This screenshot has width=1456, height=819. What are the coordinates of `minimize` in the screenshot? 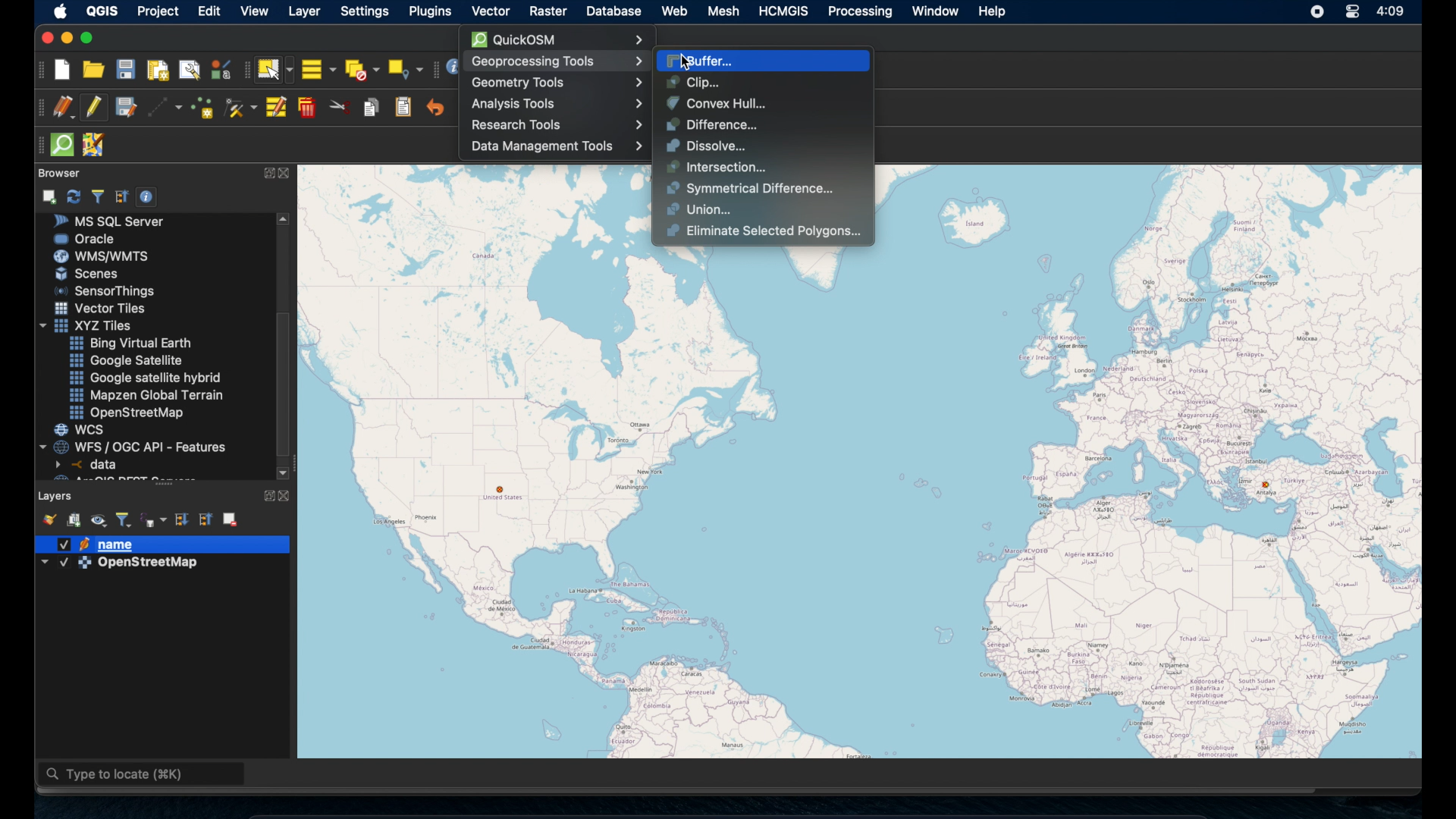 It's located at (65, 38).